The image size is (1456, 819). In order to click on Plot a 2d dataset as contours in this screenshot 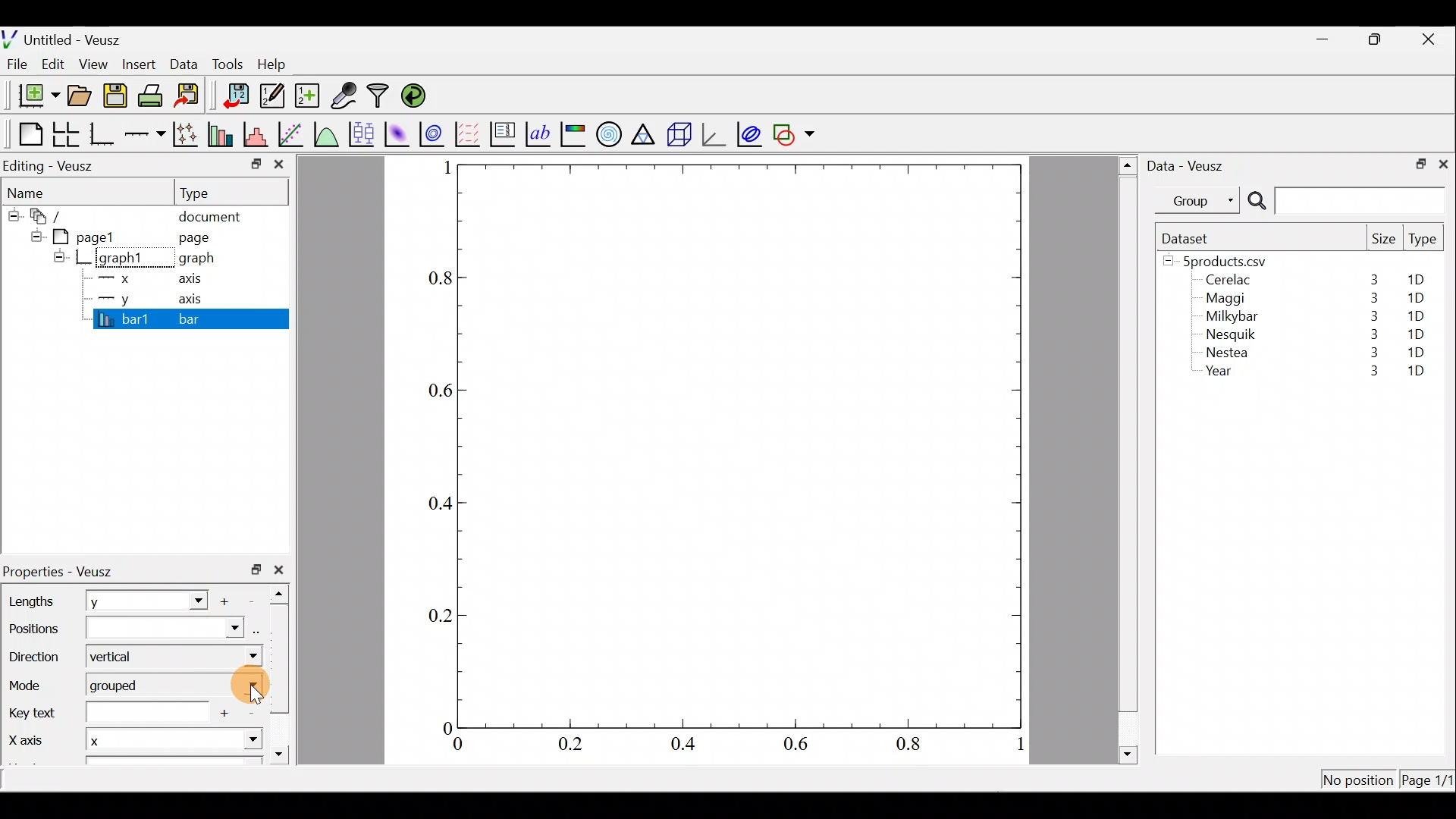, I will do `click(435, 133)`.